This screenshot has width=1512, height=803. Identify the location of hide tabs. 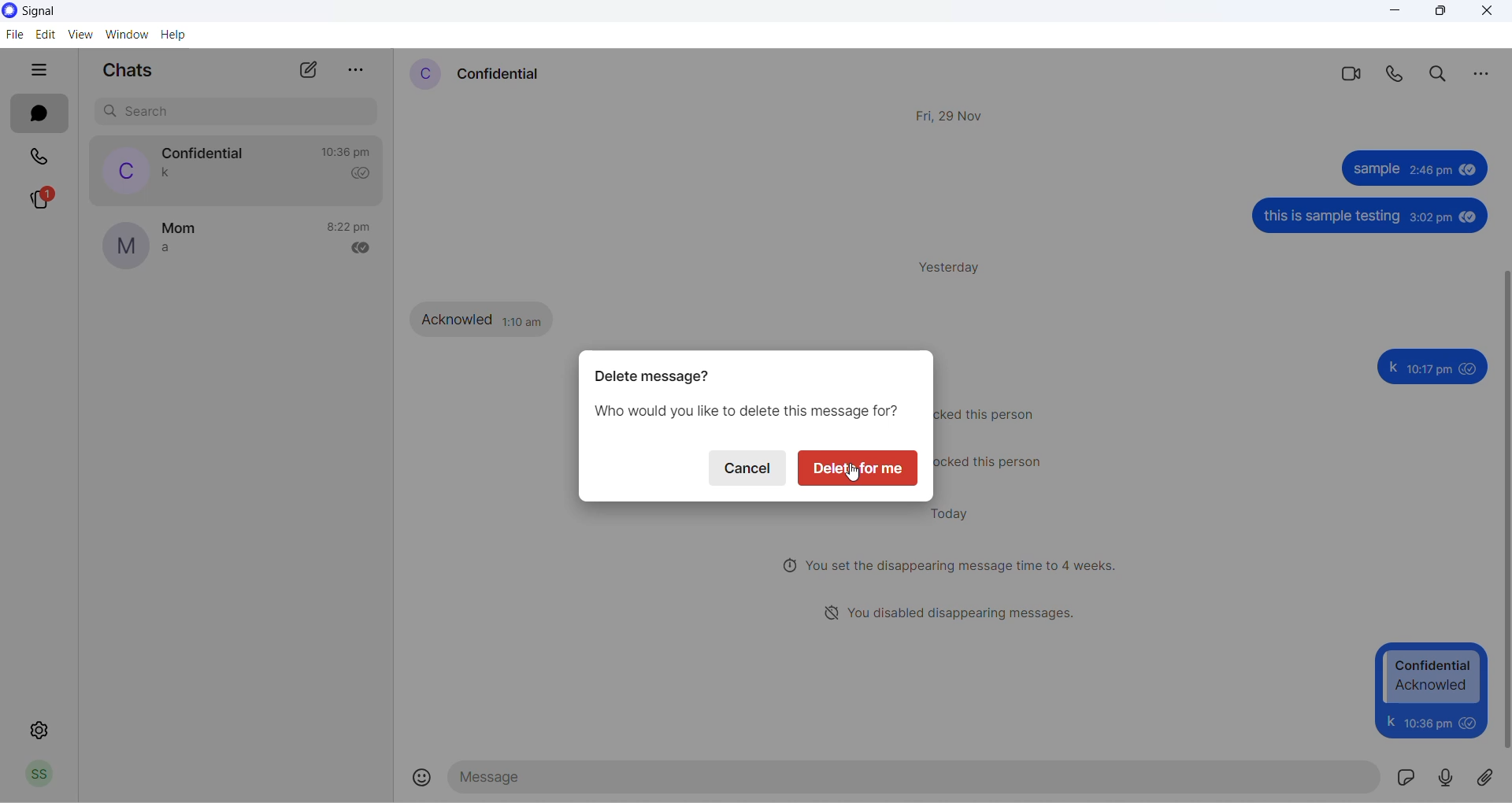
(45, 71).